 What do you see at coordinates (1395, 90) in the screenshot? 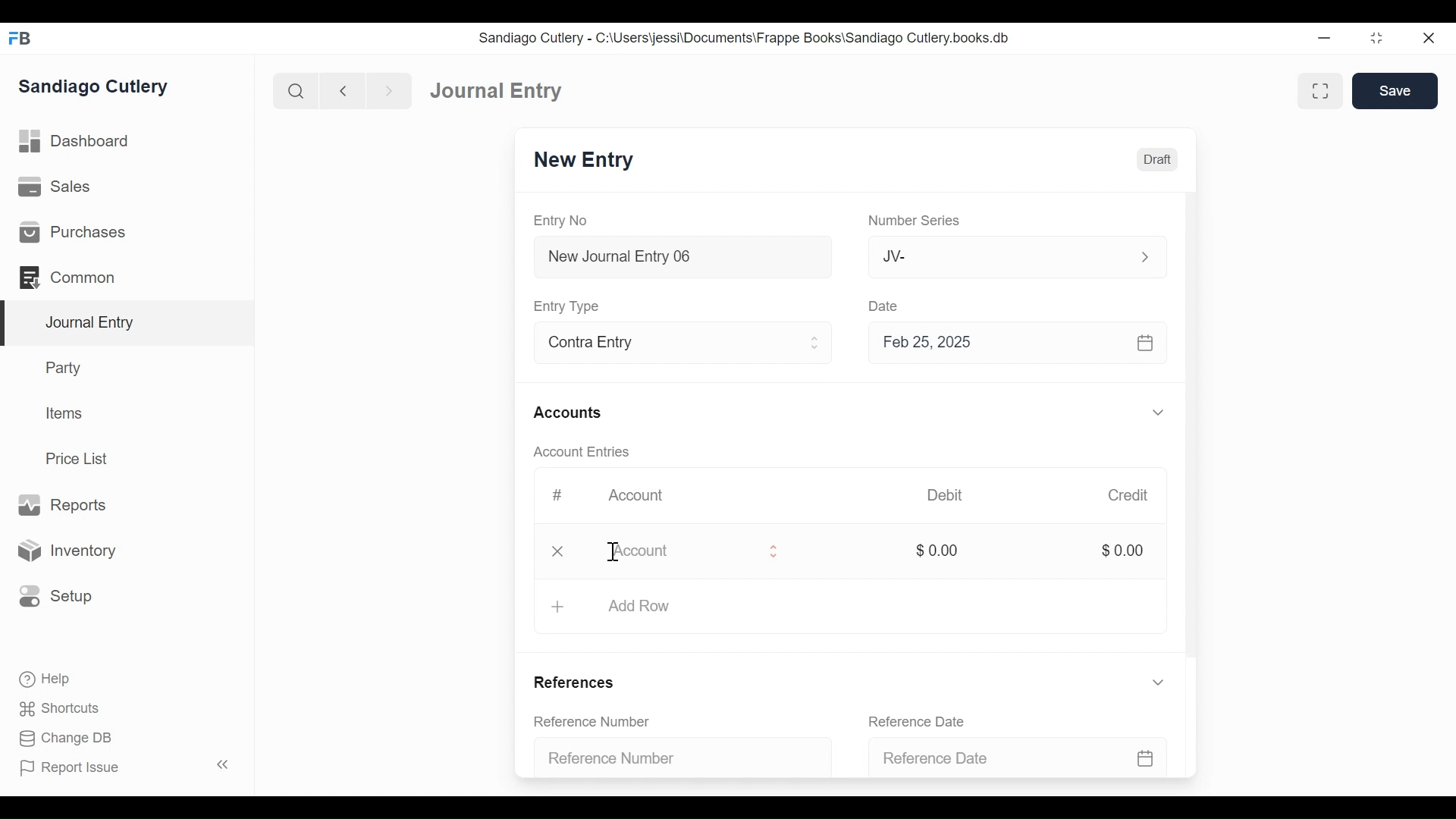
I see `Save` at bounding box center [1395, 90].